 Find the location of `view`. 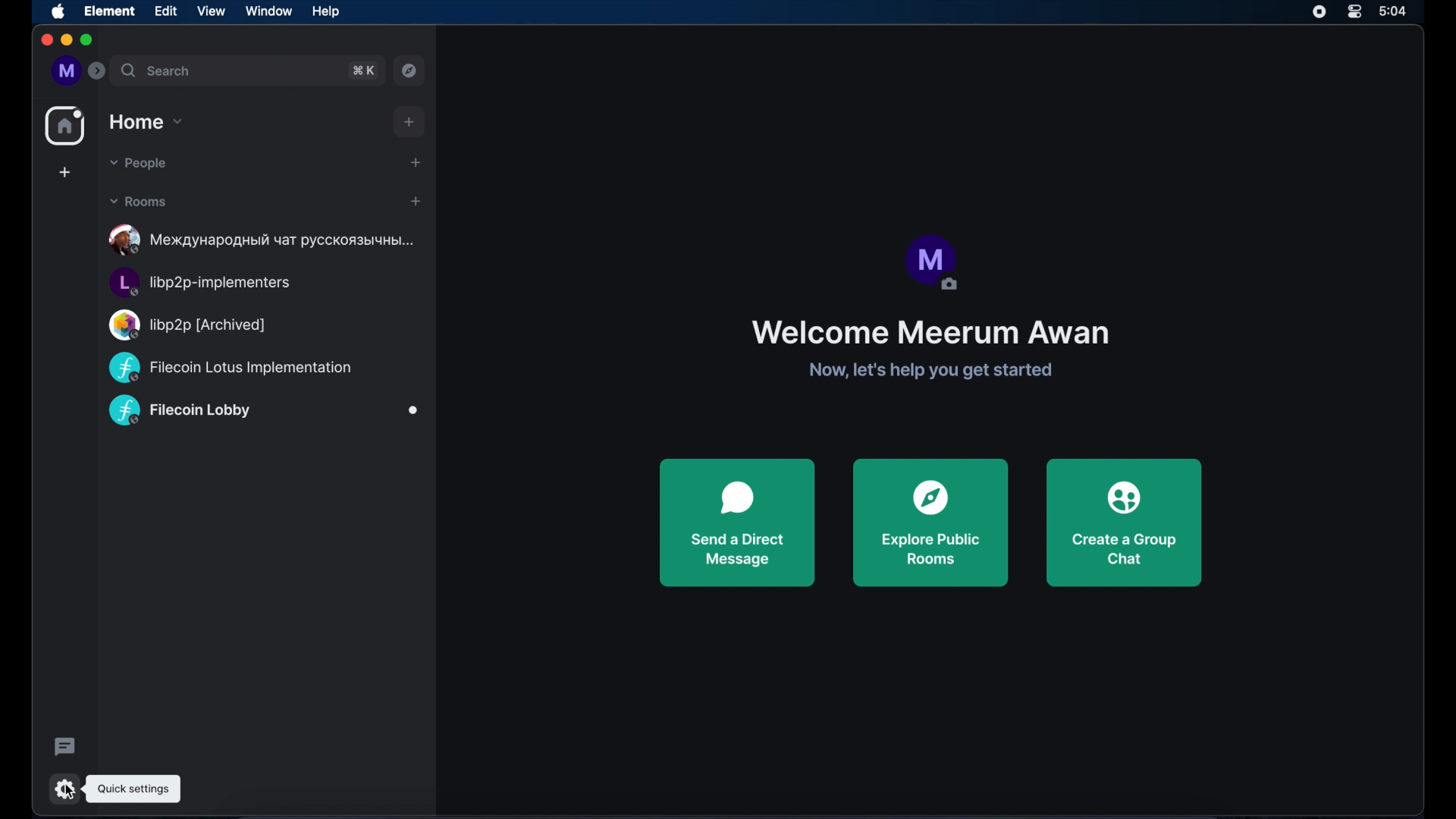

view is located at coordinates (211, 11).